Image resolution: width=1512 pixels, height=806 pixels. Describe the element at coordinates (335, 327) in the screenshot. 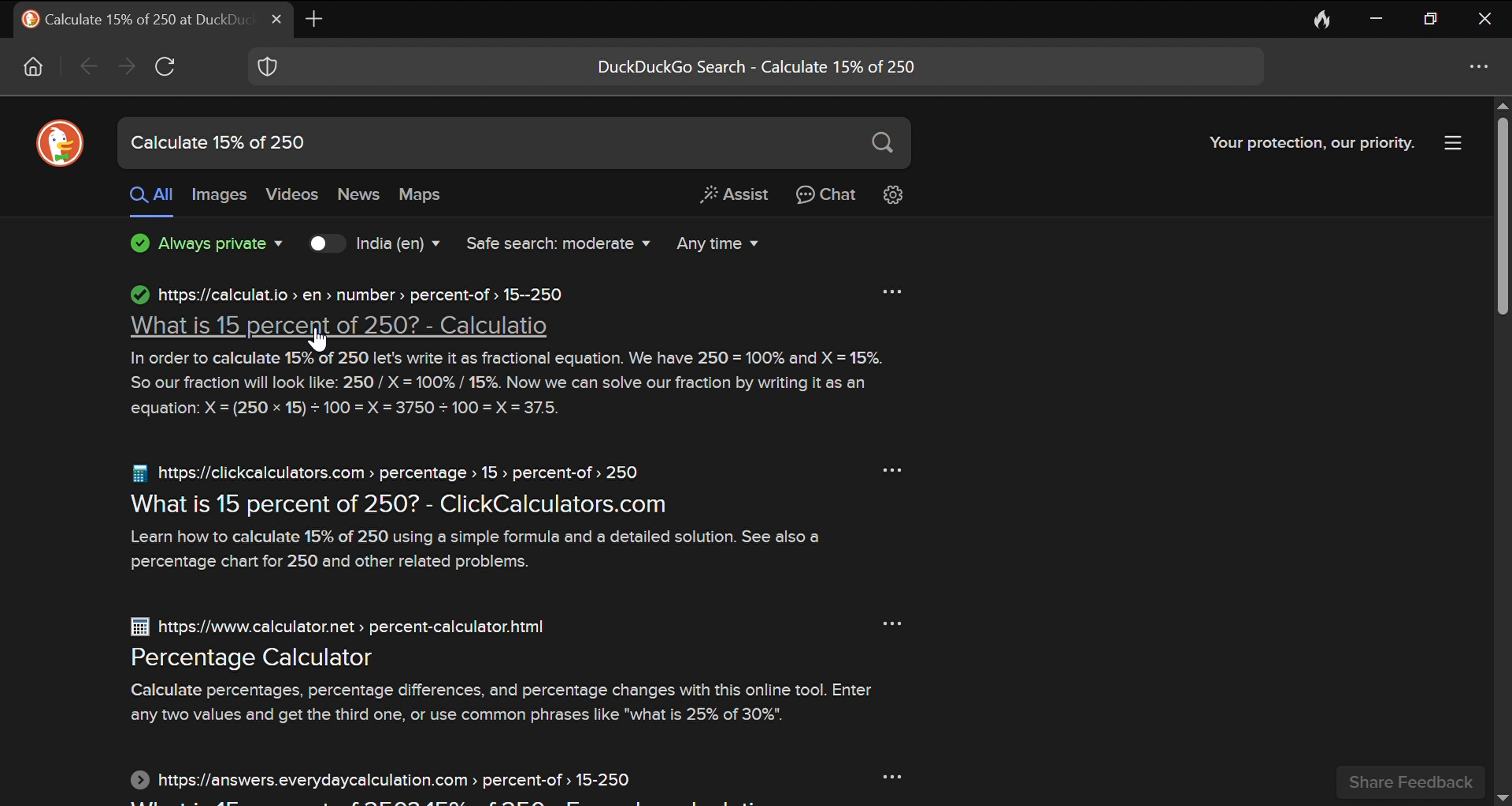

I see `result 1: What is 15 percent of 2507 - Calculatio` at that location.